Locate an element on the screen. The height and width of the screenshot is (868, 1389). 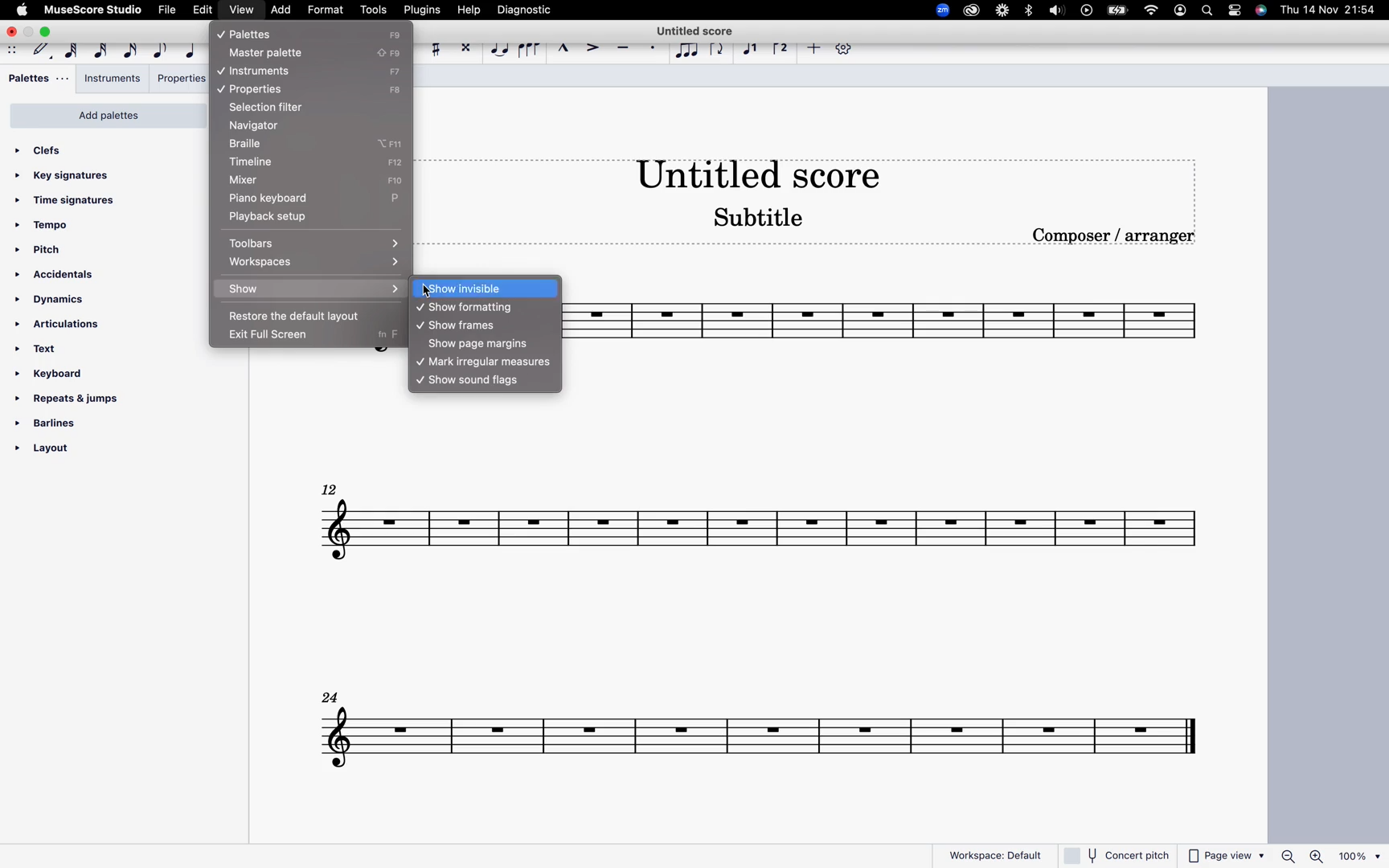
F9 is located at coordinates (396, 34).